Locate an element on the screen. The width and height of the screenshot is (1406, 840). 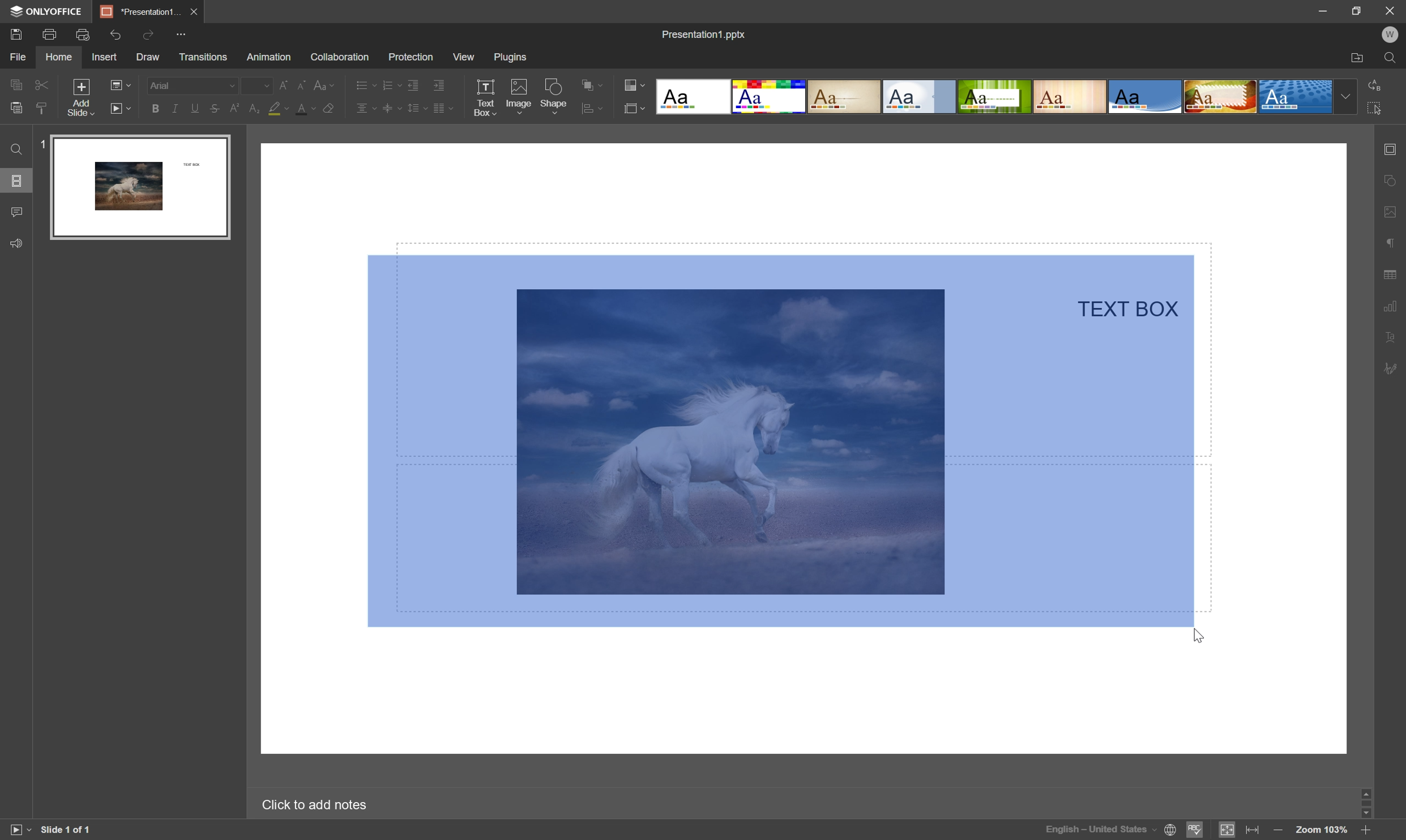
fit to width is located at coordinates (1254, 830).